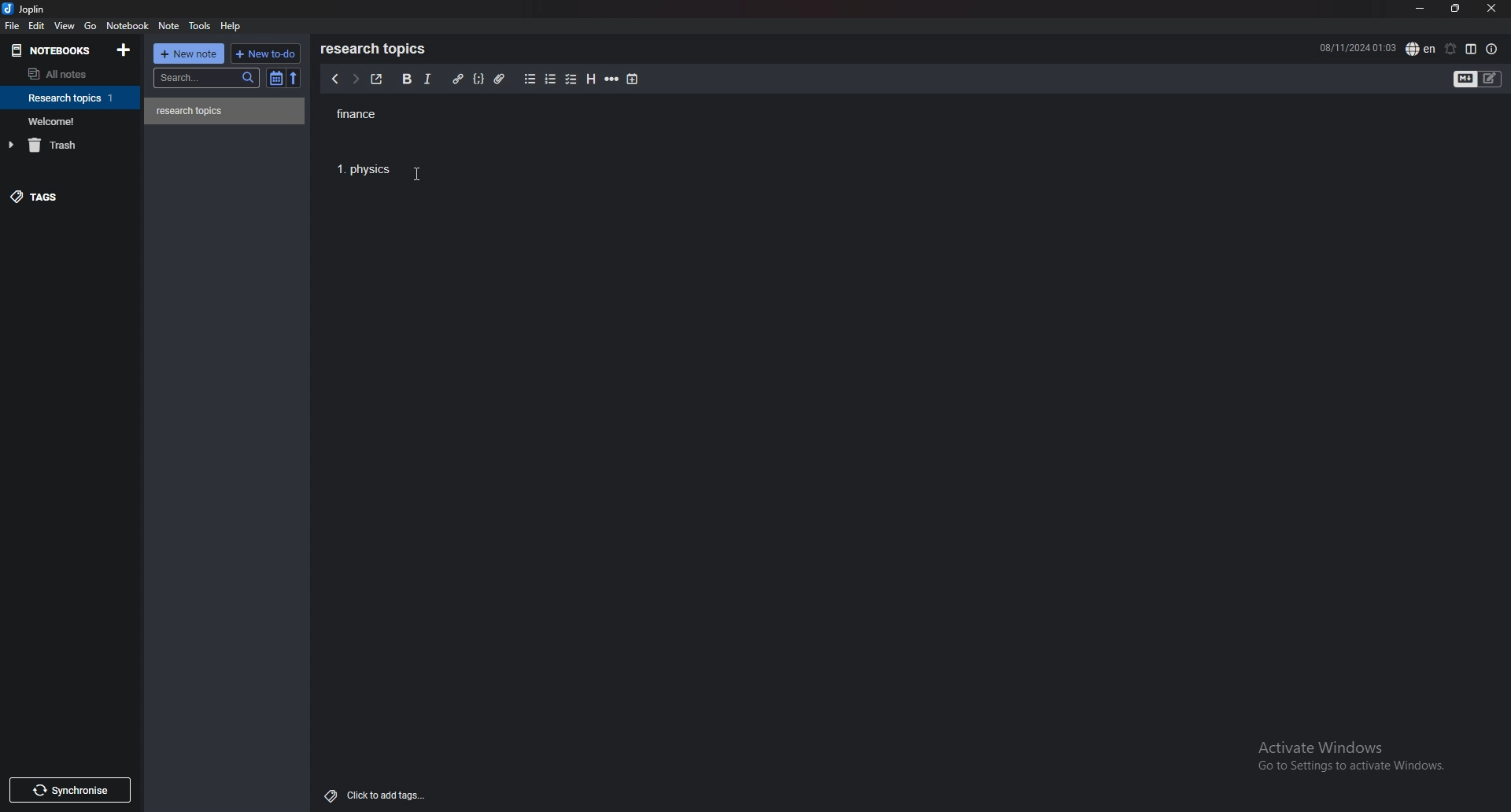  I want to click on new note, so click(190, 53).